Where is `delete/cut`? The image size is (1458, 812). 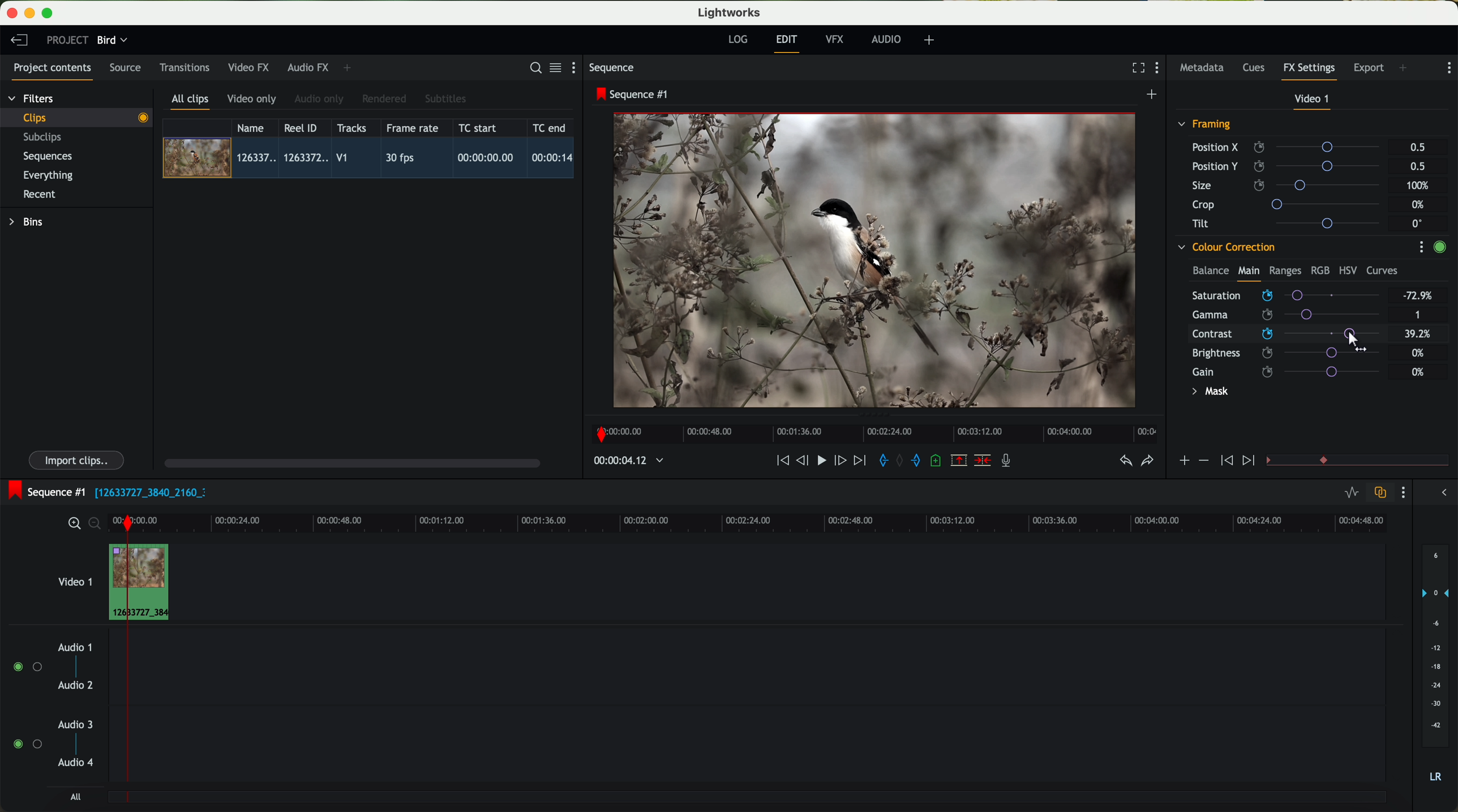 delete/cut is located at coordinates (983, 461).